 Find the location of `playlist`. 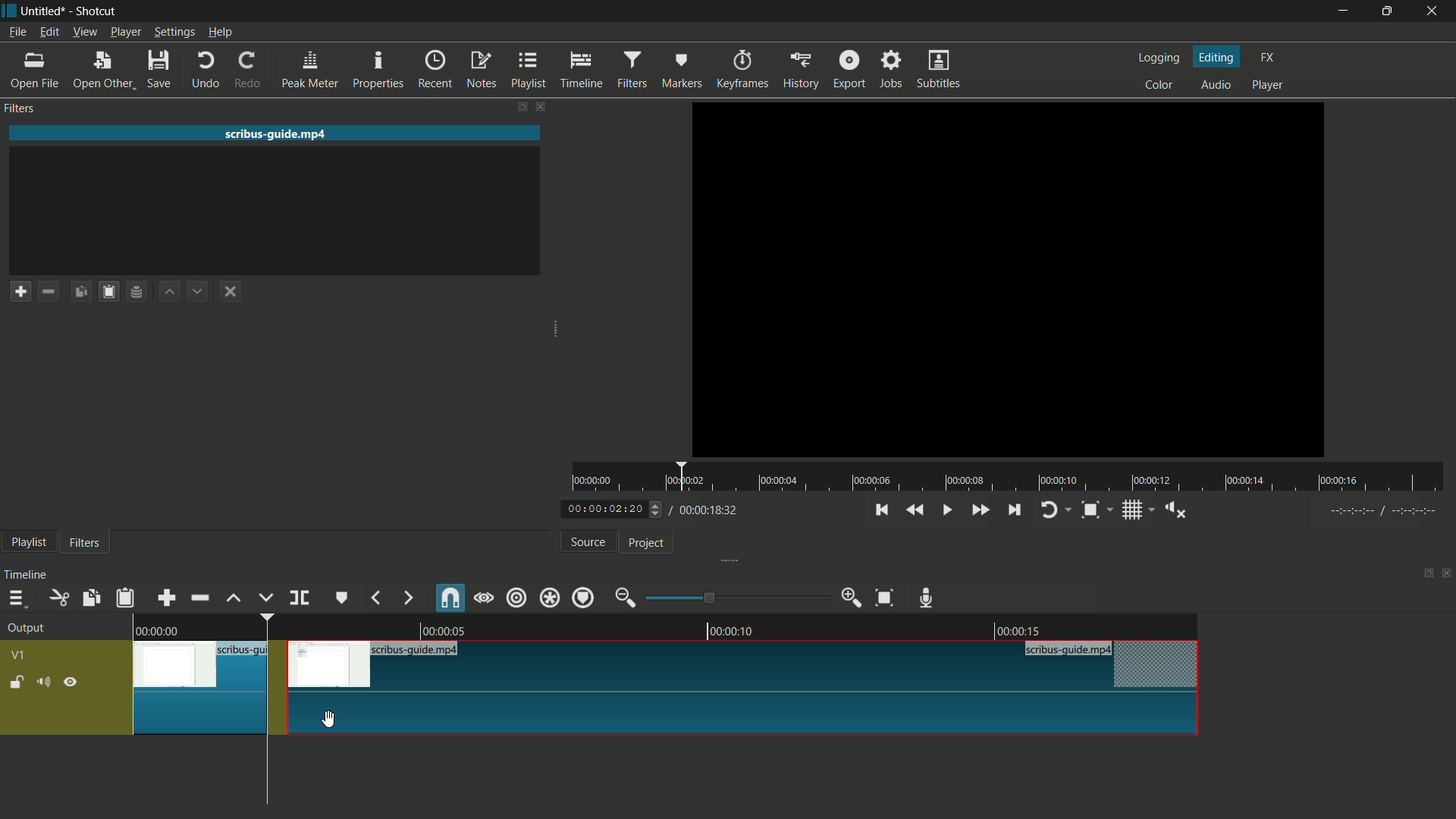

playlist is located at coordinates (531, 69).